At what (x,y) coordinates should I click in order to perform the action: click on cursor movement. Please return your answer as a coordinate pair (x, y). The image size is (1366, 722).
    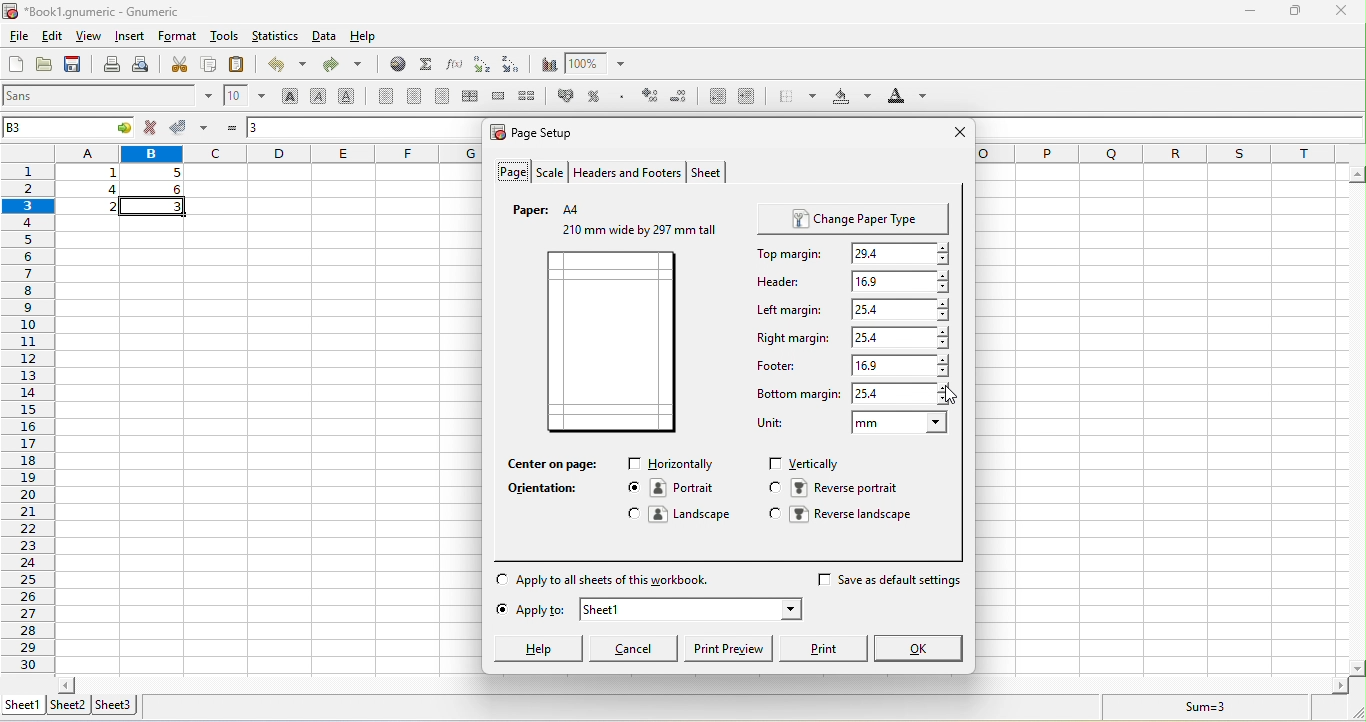
    Looking at the image, I should click on (952, 397).